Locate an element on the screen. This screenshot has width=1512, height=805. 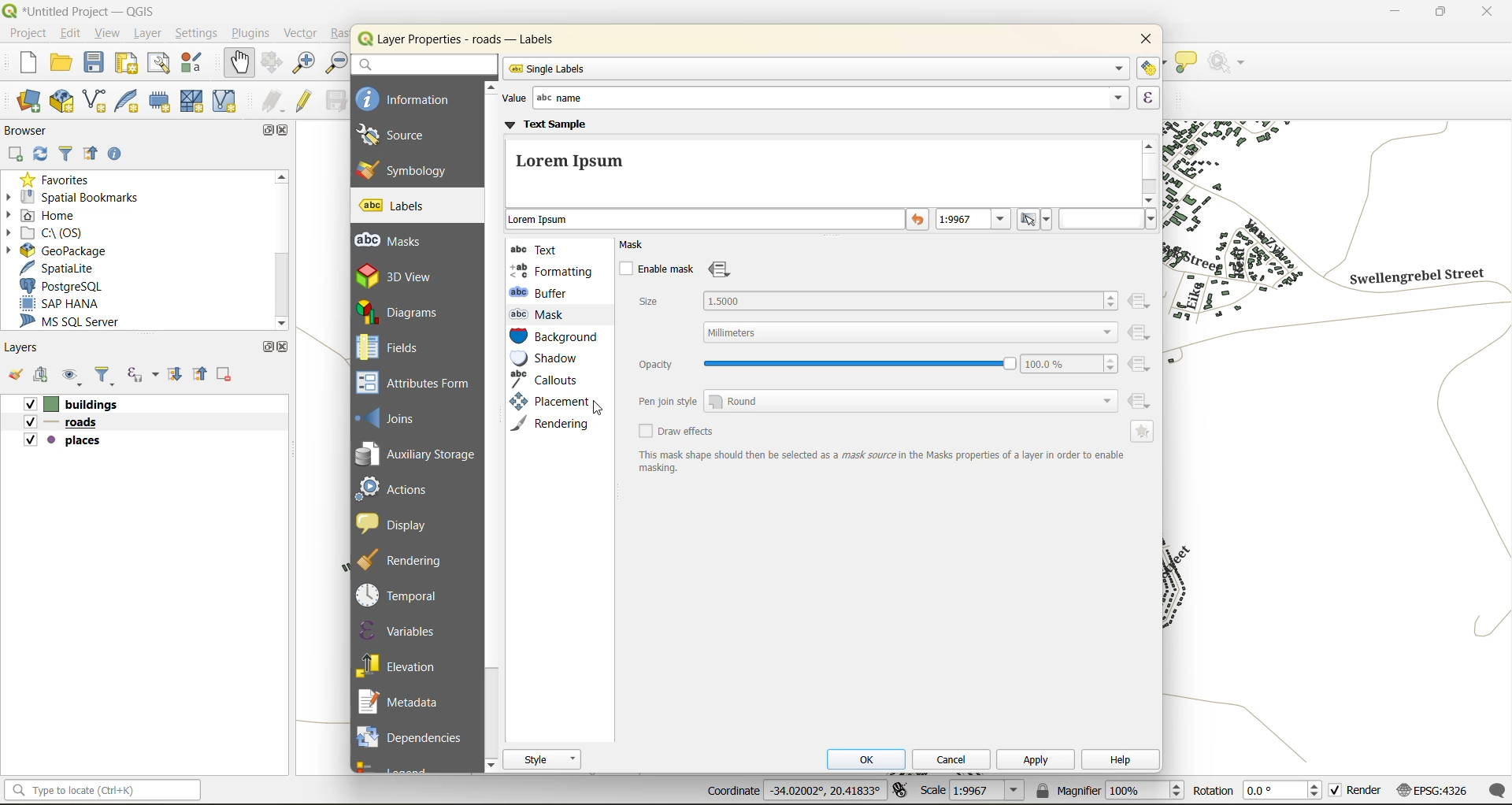
edit is located at coordinates (72, 35).